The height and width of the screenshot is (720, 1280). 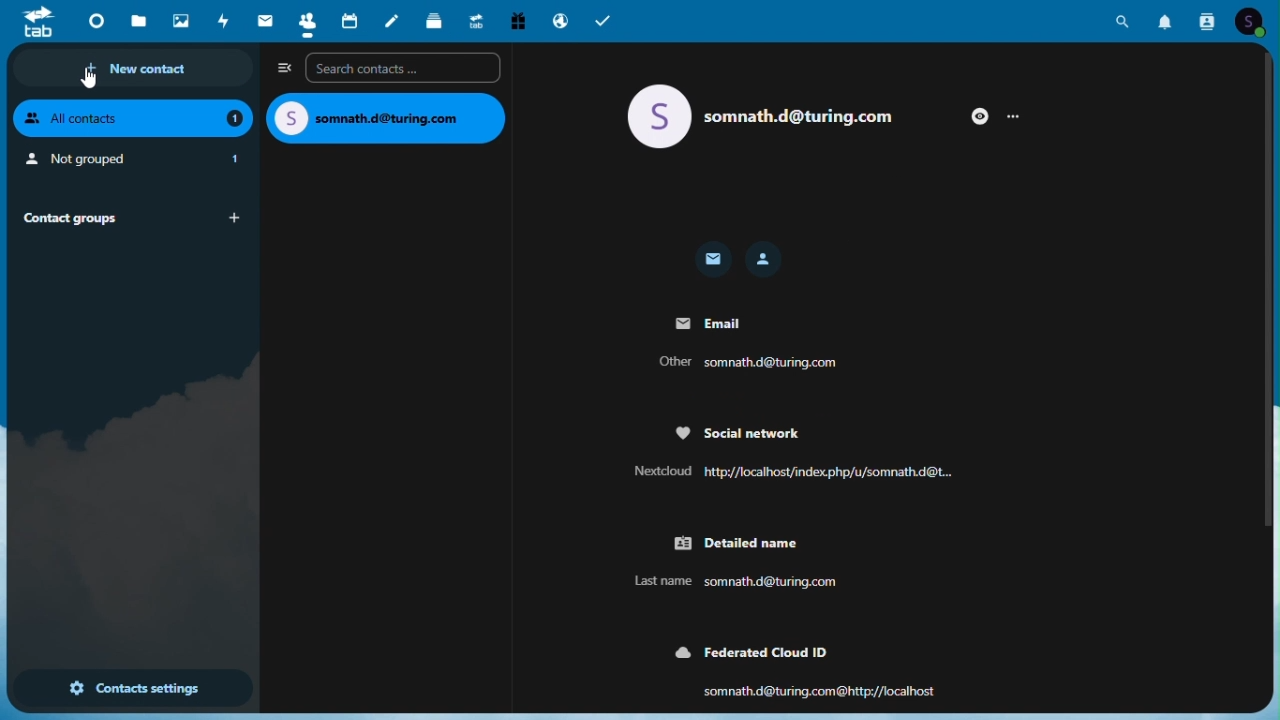 What do you see at coordinates (1210, 22) in the screenshot?
I see `Contacts` at bounding box center [1210, 22].